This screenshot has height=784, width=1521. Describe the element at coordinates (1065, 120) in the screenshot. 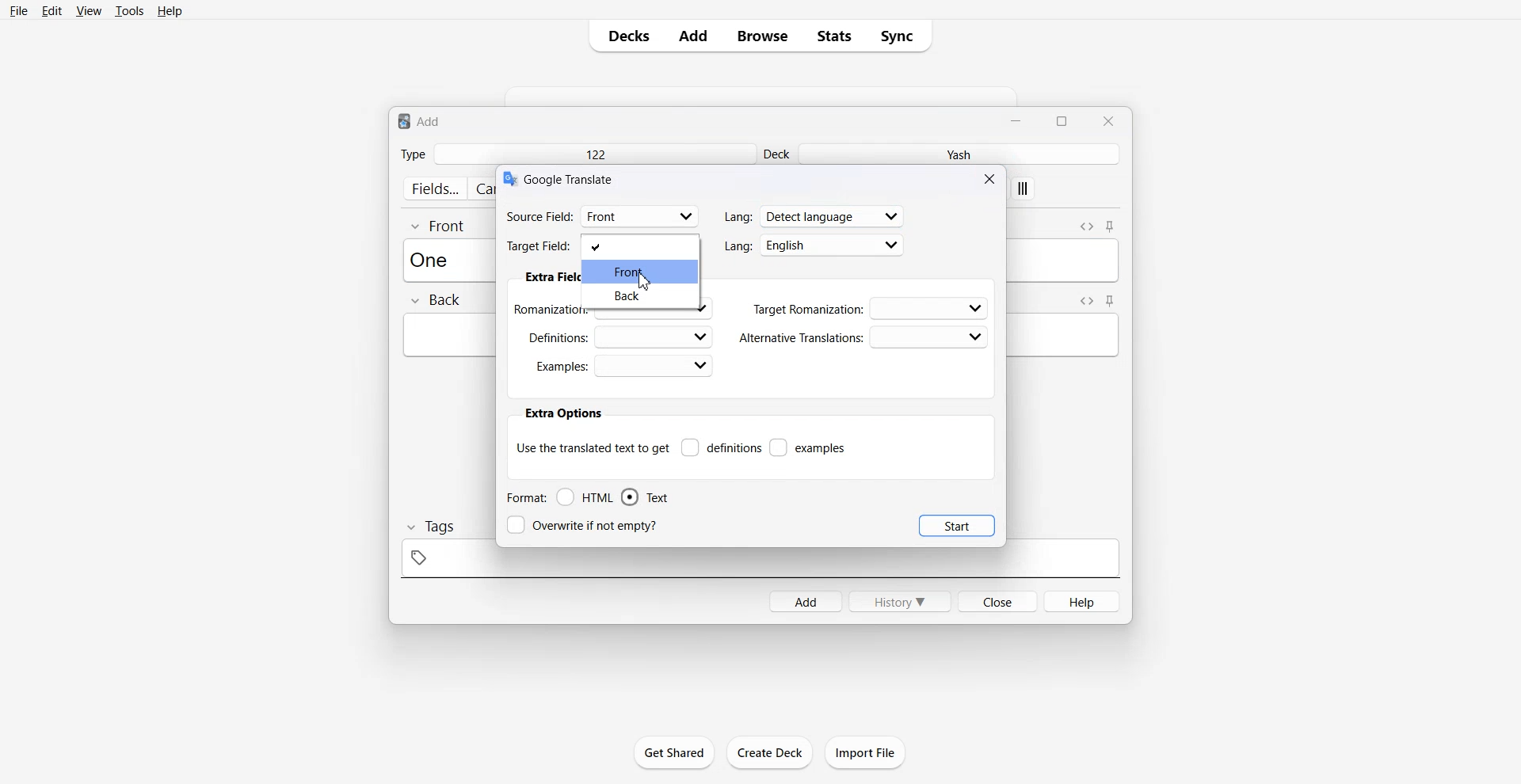

I see `Maximize` at that location.